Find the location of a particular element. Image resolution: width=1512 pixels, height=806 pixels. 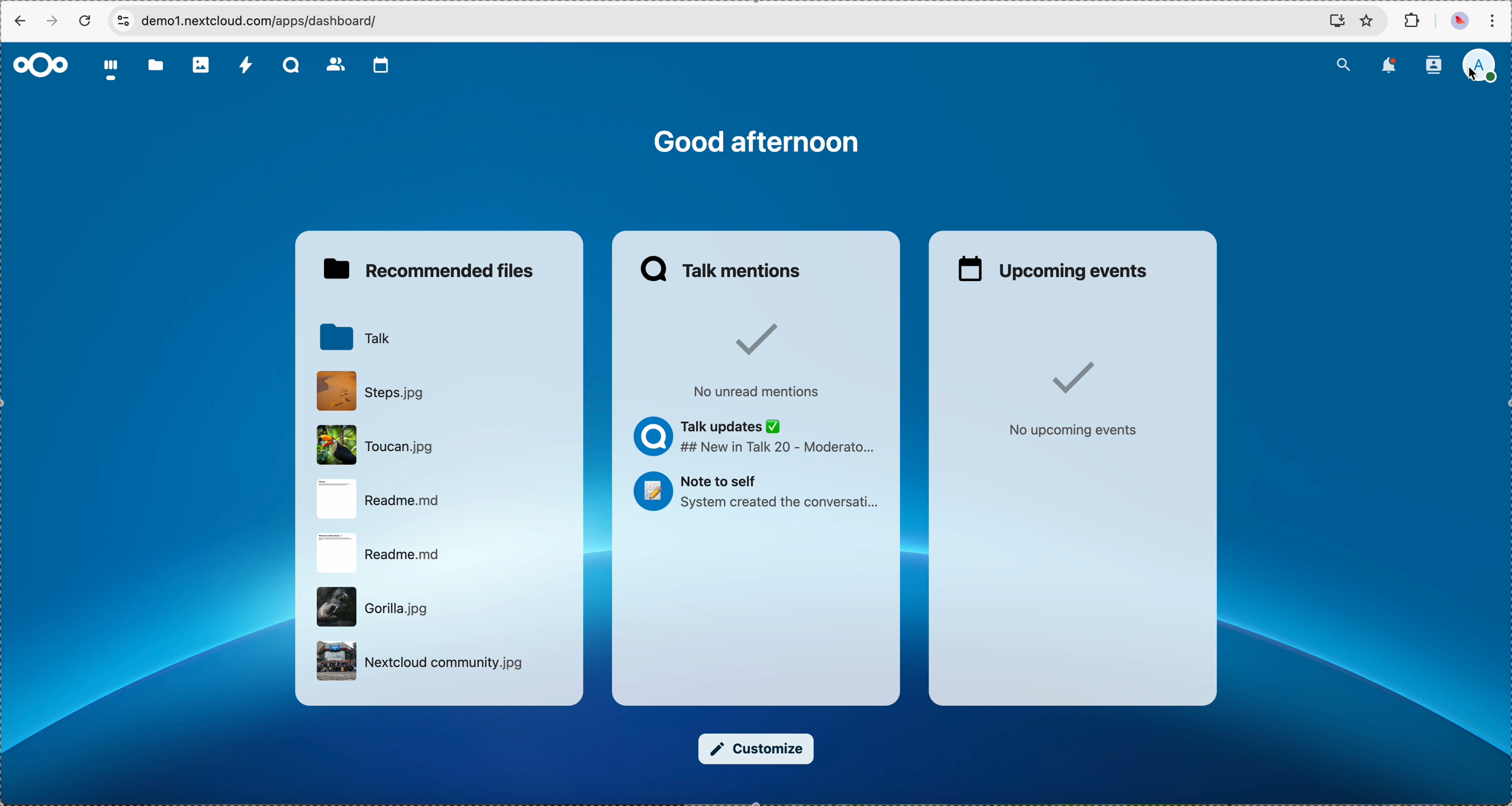

file is located at coordinates (369, 390).